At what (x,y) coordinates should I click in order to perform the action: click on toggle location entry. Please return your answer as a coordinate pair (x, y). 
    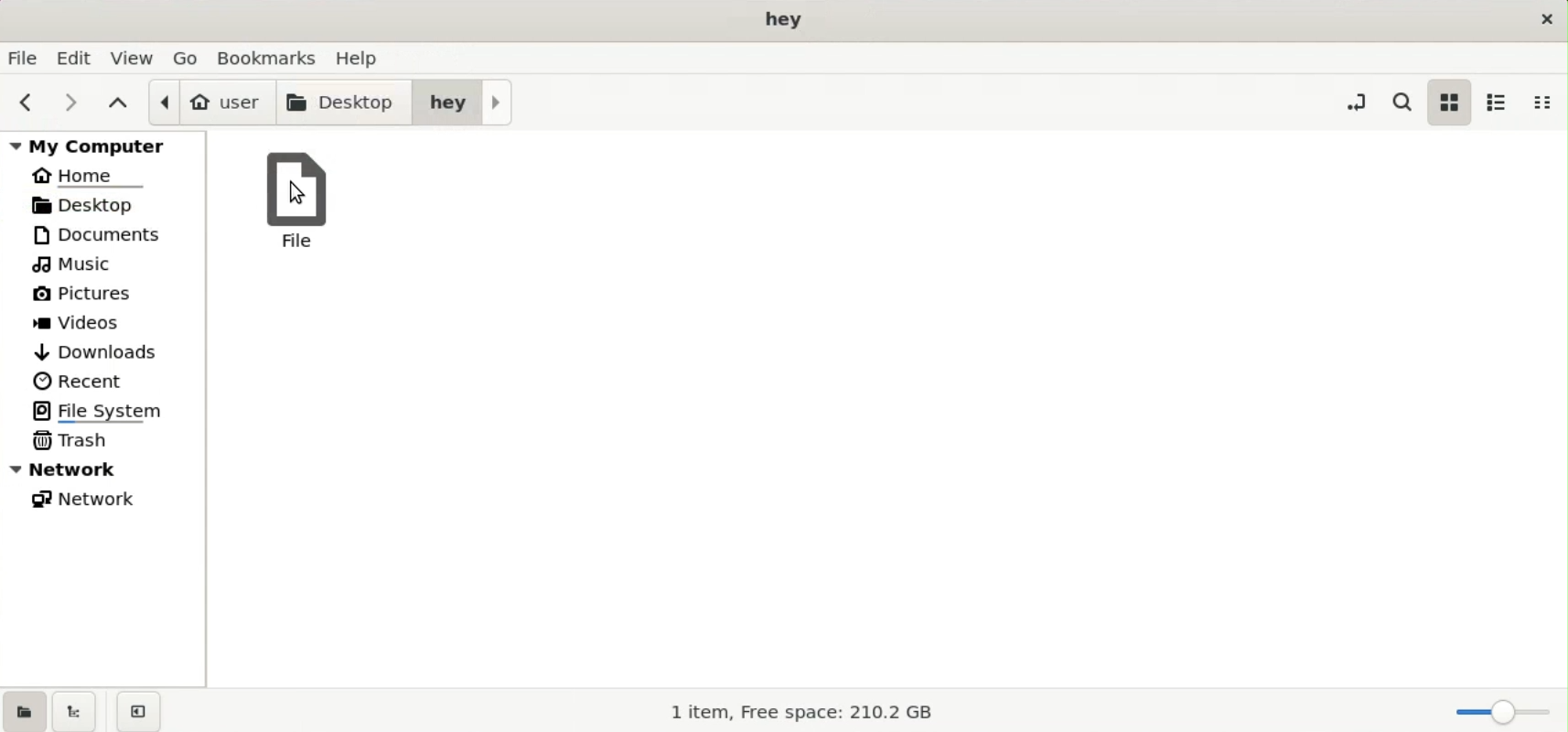
    Looking at the image, I should click on (1356, 101).